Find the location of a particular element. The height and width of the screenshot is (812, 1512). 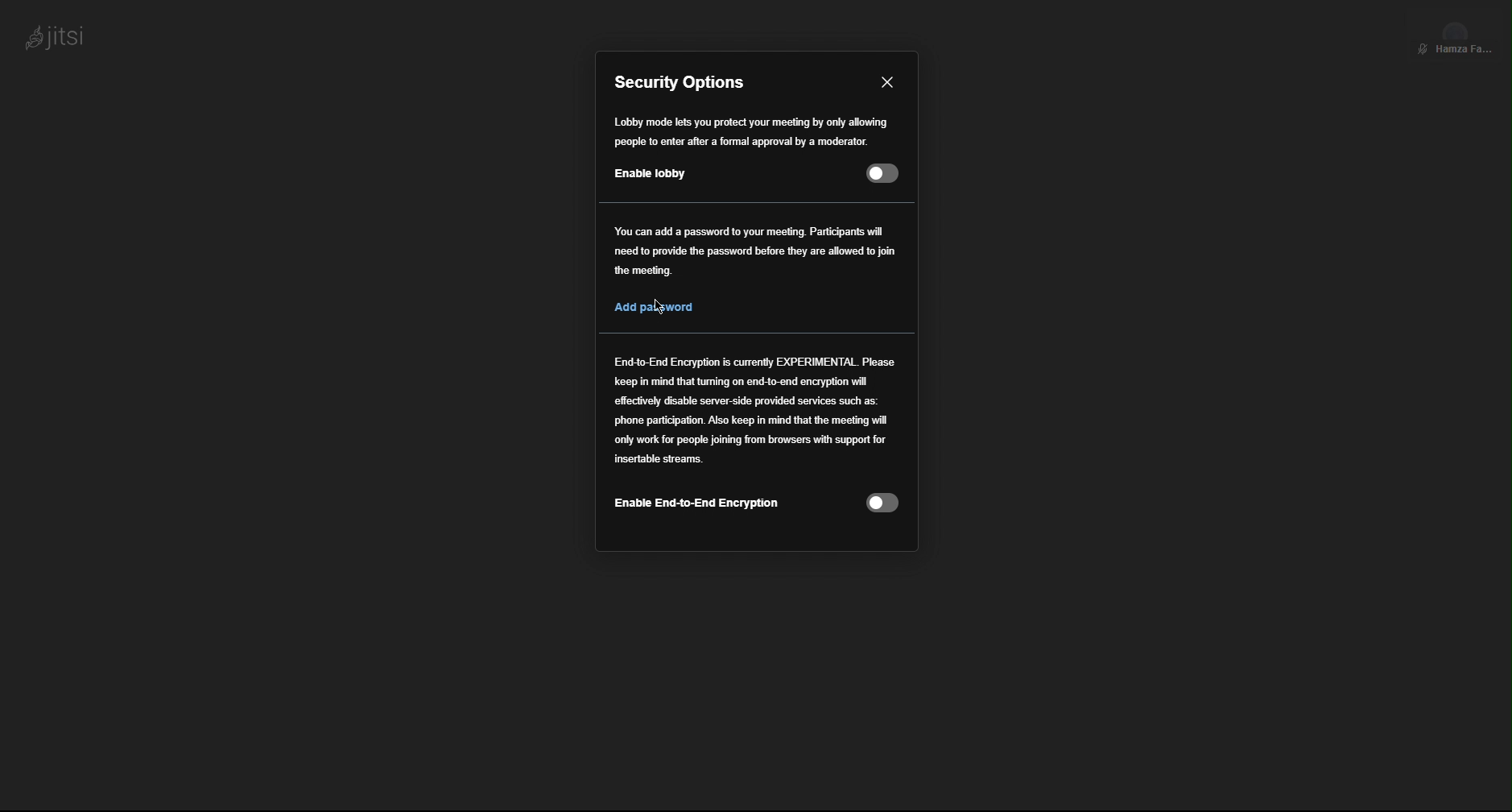

Password is located at coordinates (756, 266).